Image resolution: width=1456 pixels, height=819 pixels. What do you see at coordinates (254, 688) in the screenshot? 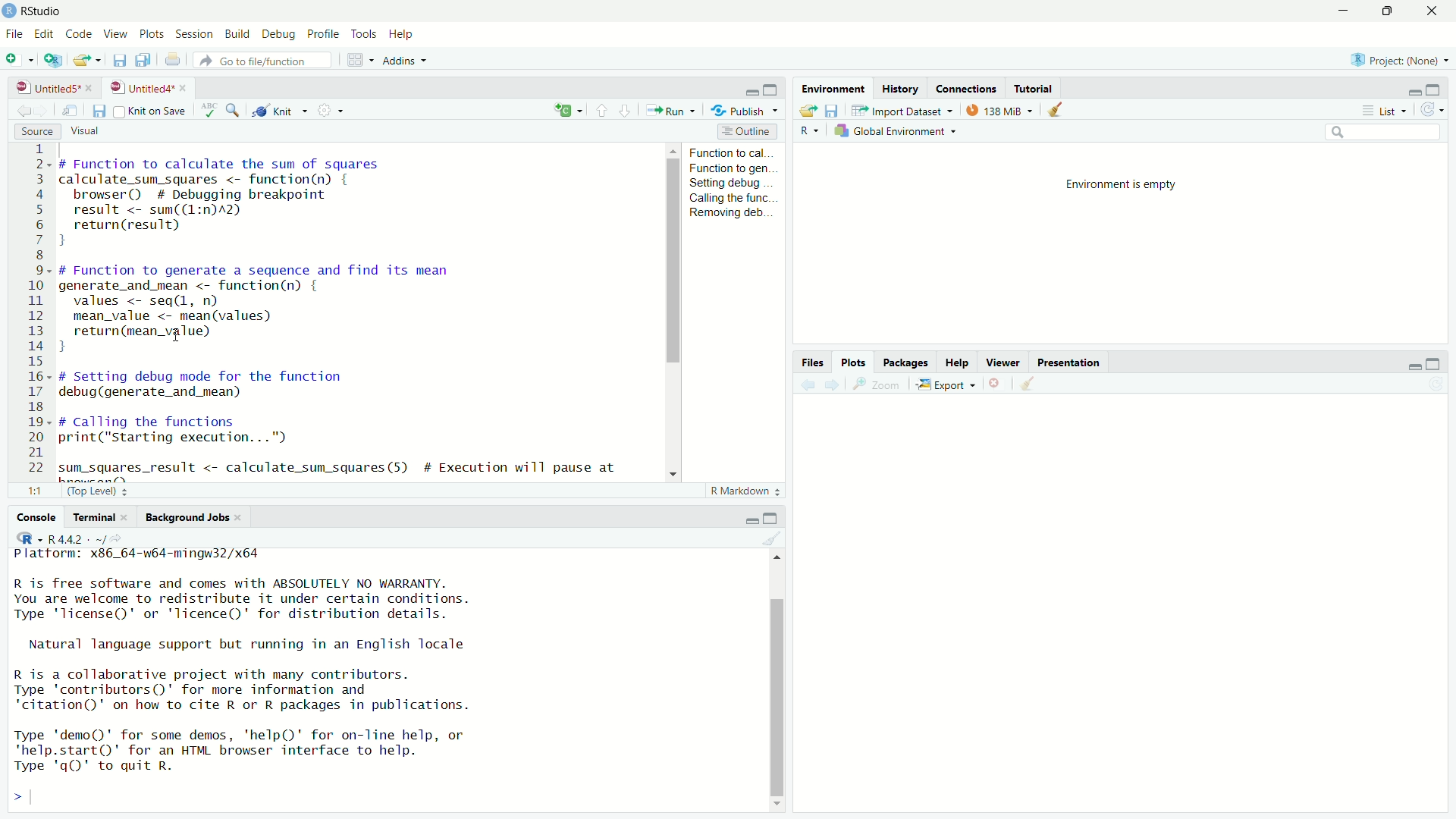
I see `R is a collaborative project with many contributors.
Type 'contributors()' for more information and
"citation()' on how to cite R or R packages in publications.` at bounding box center [254, 688].